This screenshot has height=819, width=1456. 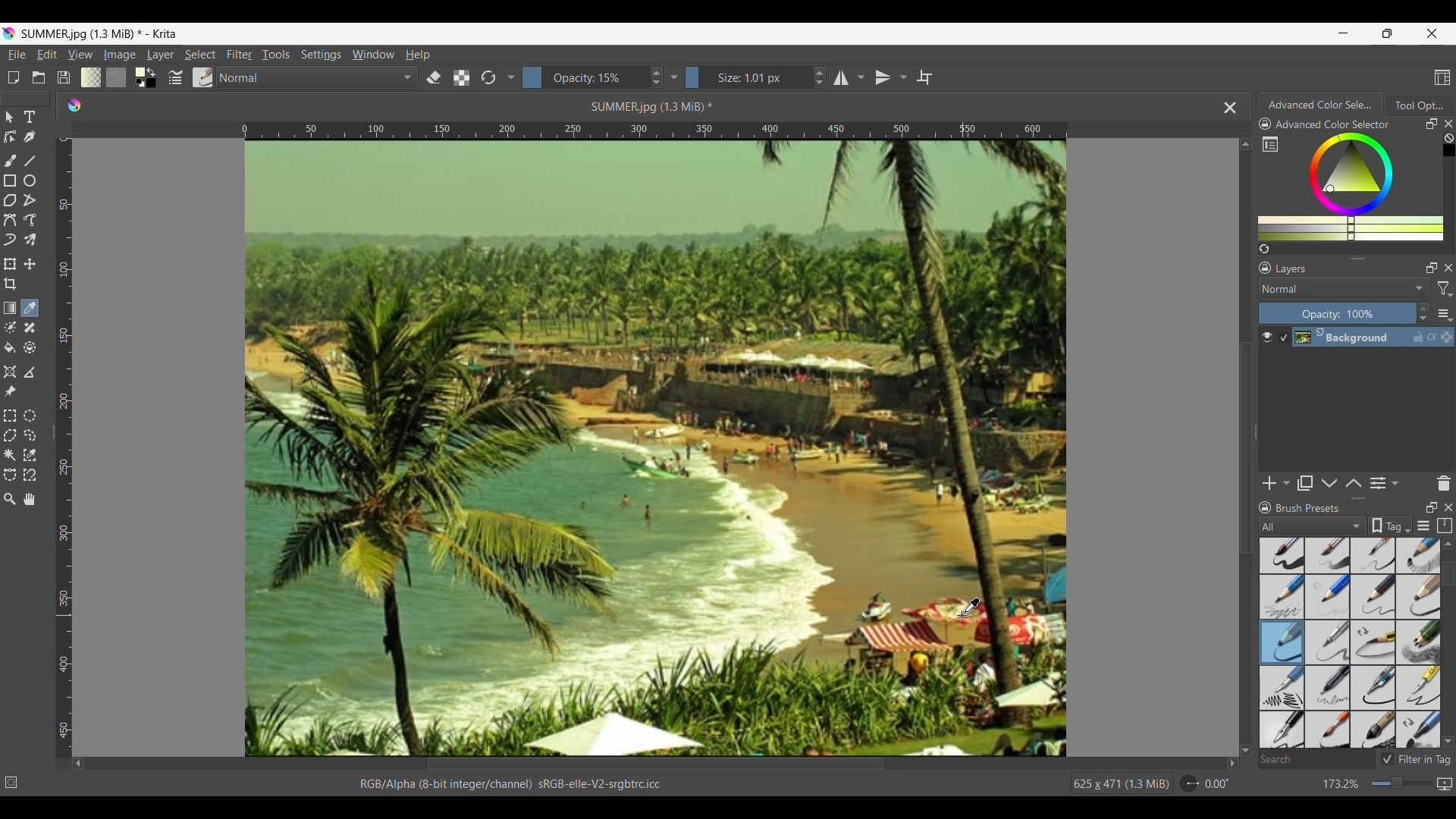 What do you see at coordinates (1350, 643) in the screenshot?
I see `Brush options` at bounding box center [1350, 643].